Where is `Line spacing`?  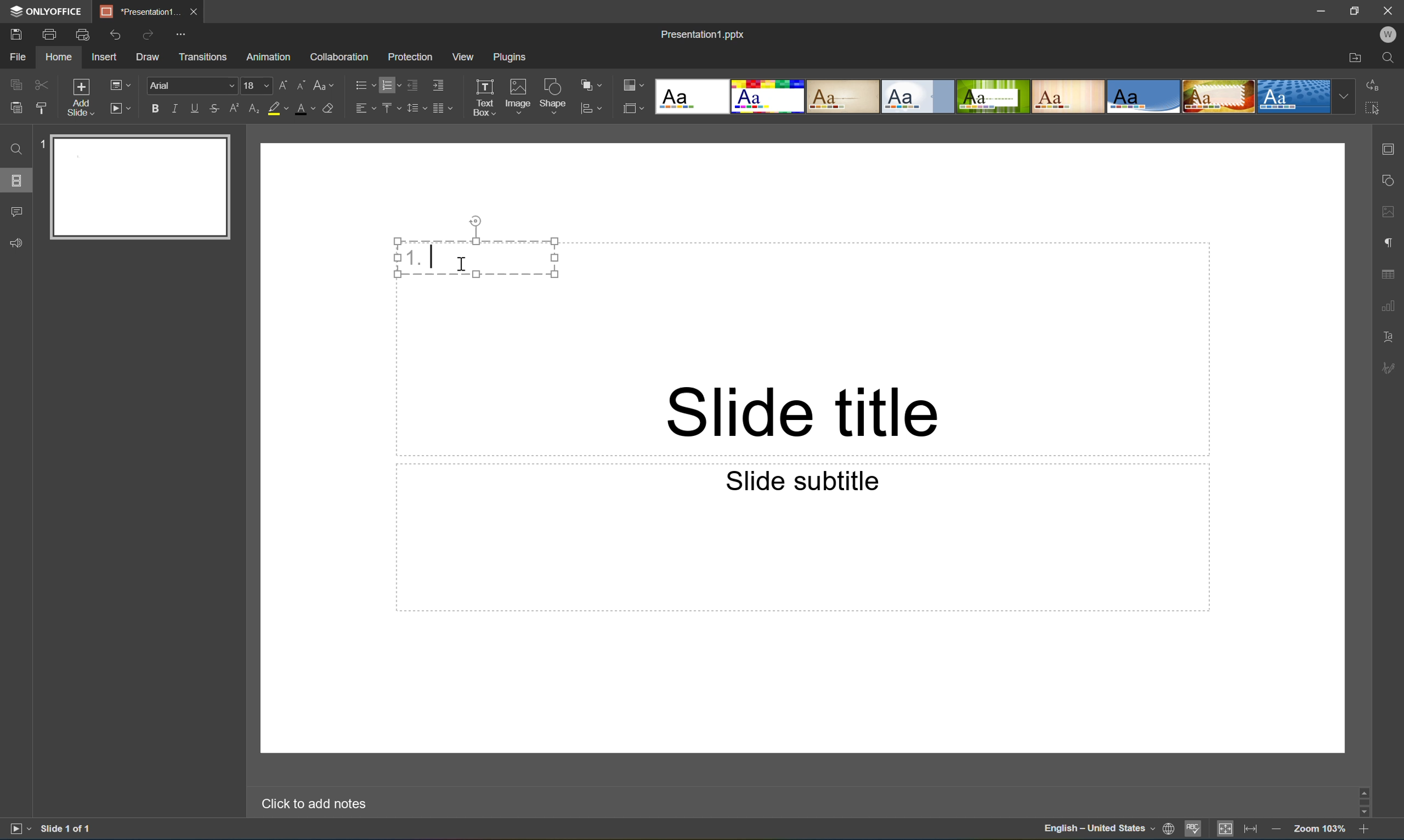
Line spacing is located at coordinates (416, 112).